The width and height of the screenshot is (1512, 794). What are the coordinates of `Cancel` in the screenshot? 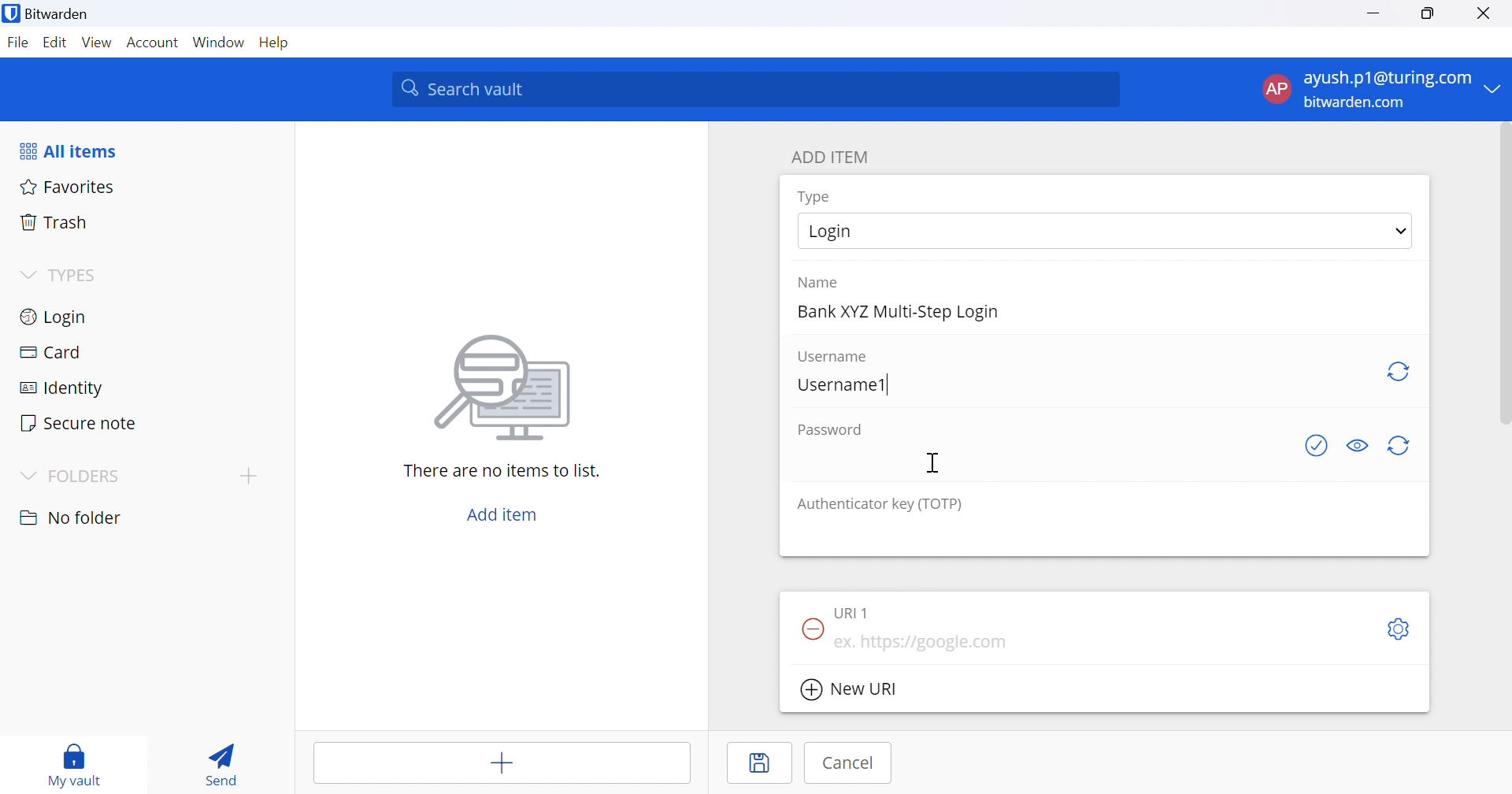 It's located at (847, 763).